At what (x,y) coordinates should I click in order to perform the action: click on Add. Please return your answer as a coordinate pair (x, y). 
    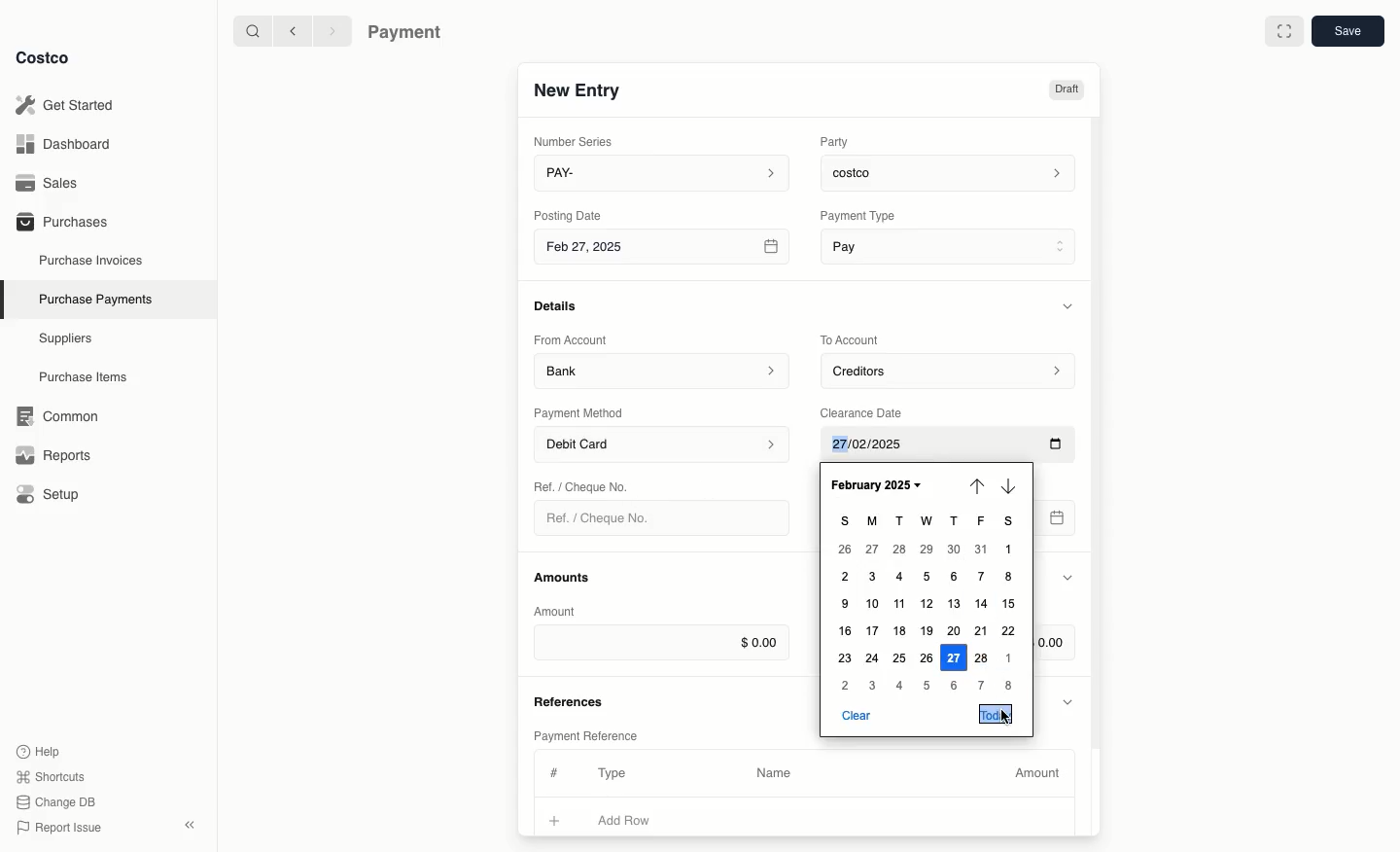
    Looking at the image, I should click on (555, 818).